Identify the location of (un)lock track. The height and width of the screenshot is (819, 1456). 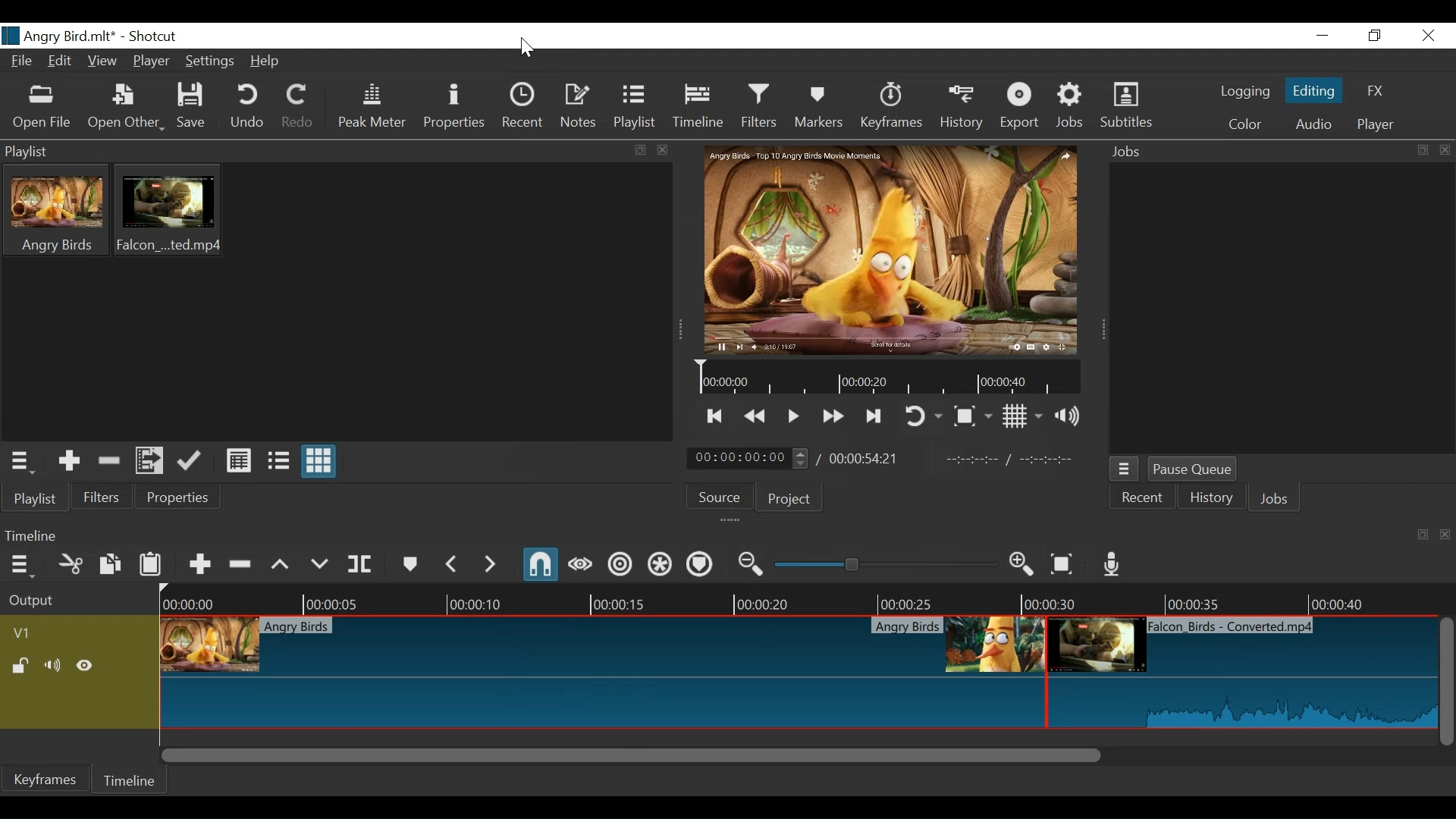
(20, 666).